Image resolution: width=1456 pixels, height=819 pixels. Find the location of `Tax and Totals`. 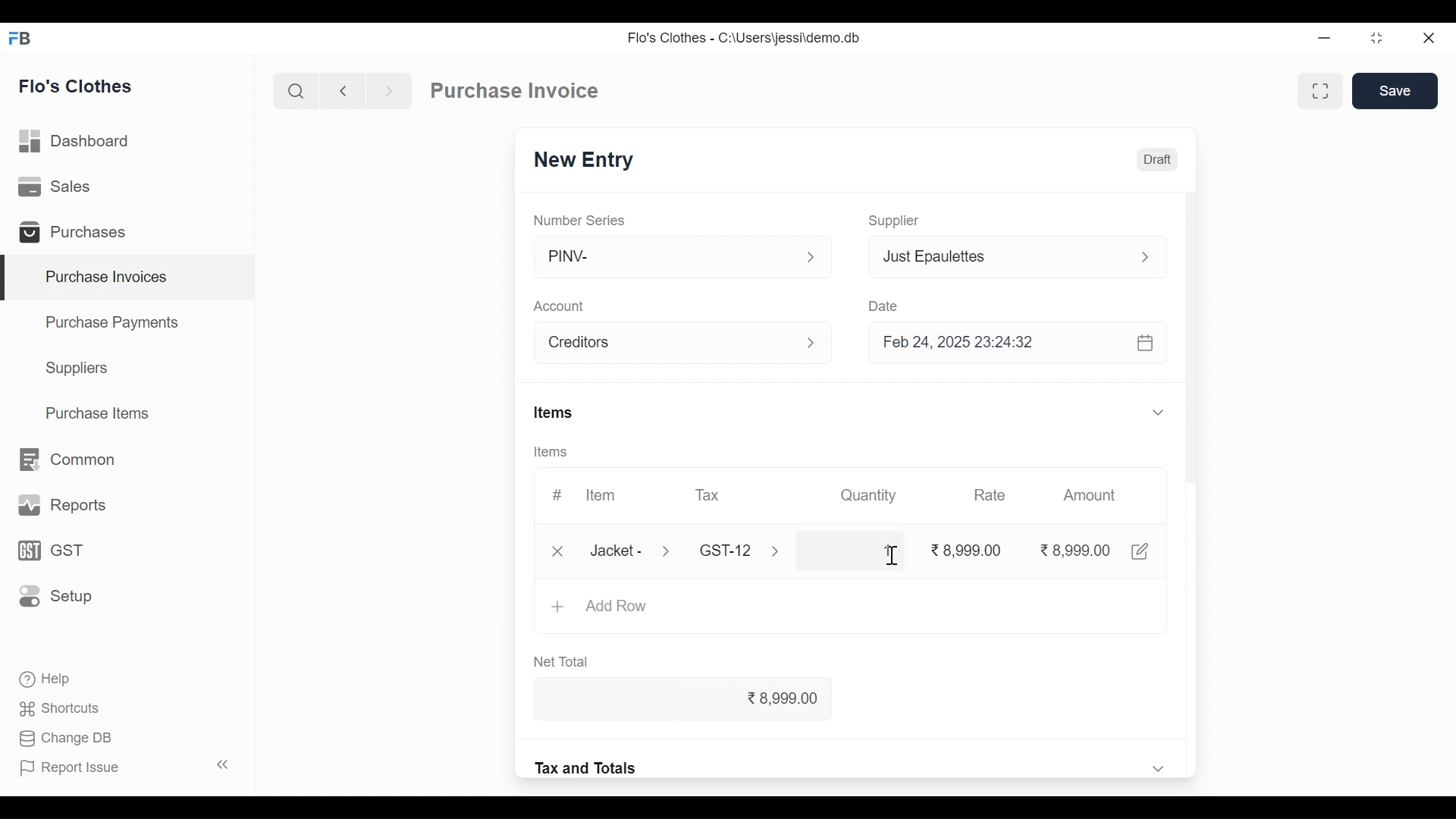

Tax and Totals is located at coordinates (588, 767).